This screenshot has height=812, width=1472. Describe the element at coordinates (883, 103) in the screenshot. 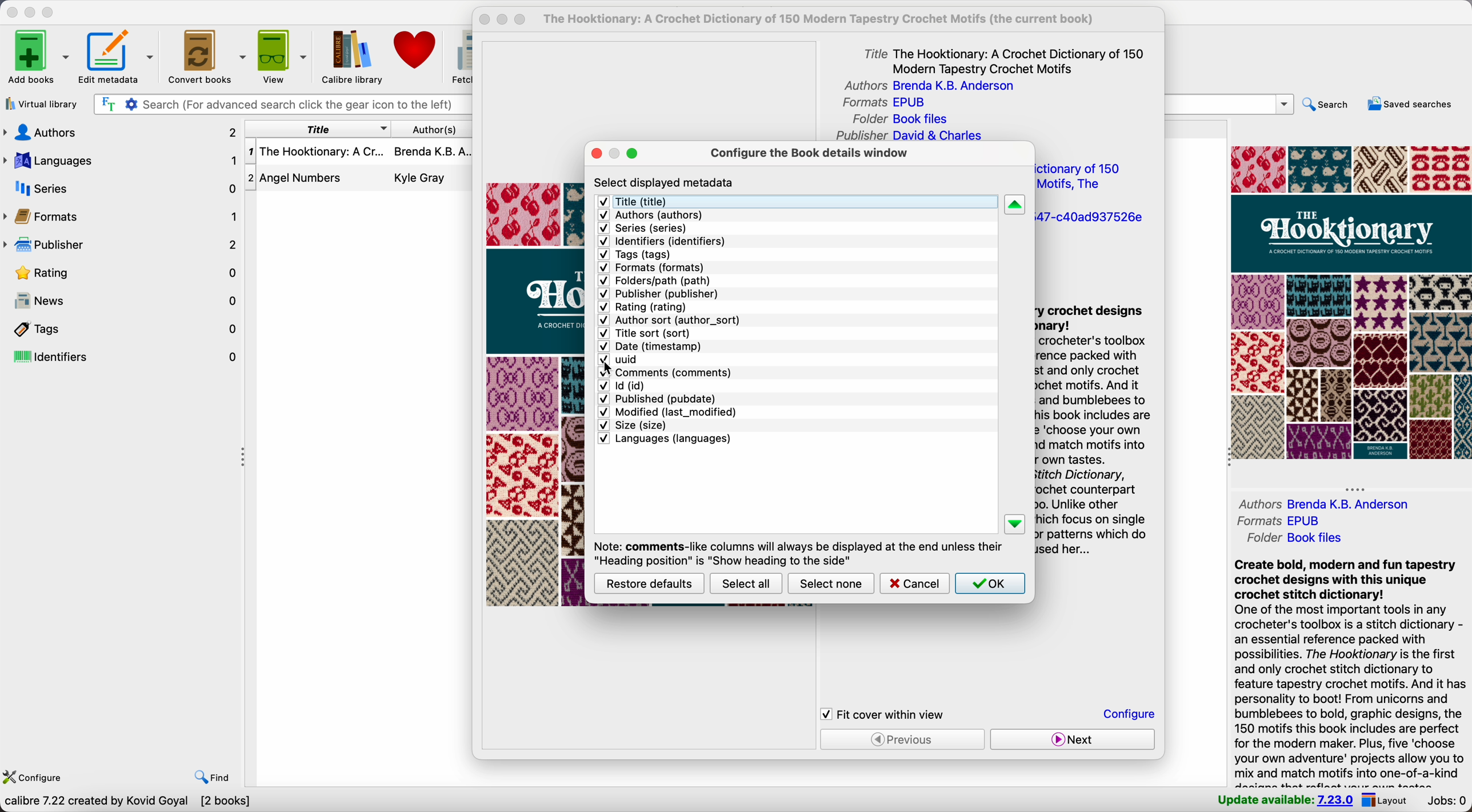

I see `formats` at that location.